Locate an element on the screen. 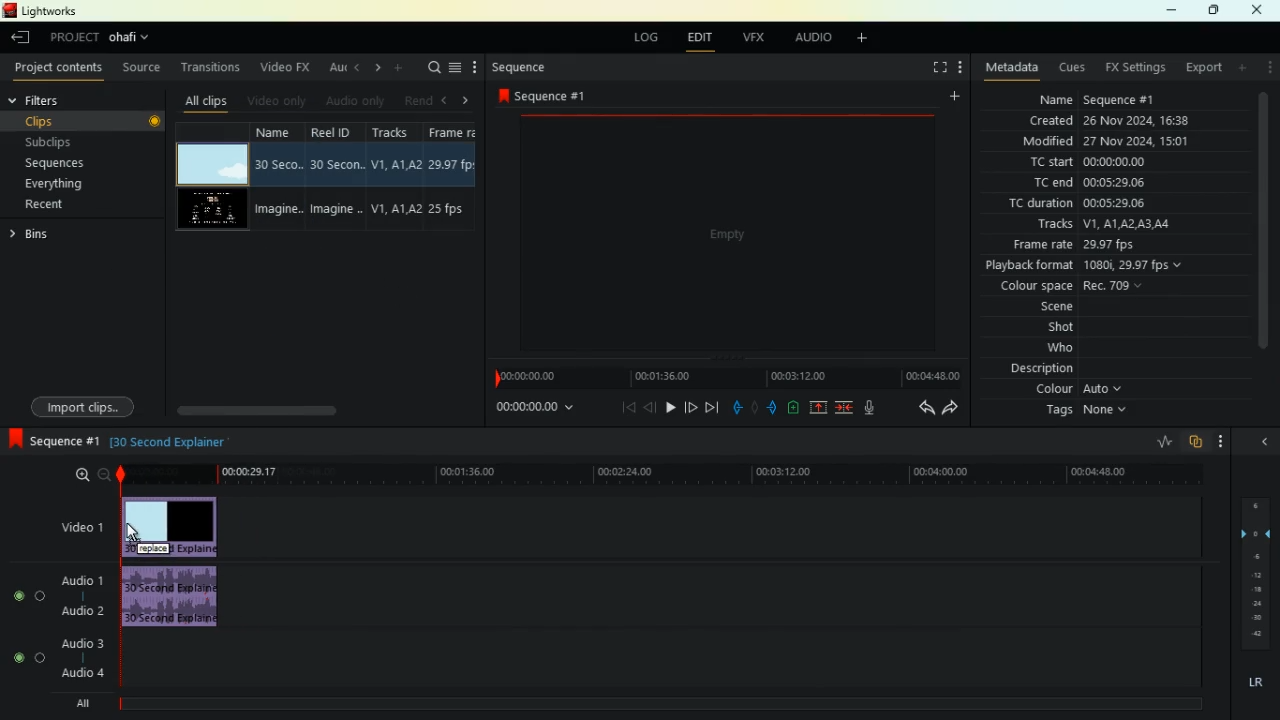 This screenshot has height=720, width=1280. video fx is located at coordinates (282, 66).